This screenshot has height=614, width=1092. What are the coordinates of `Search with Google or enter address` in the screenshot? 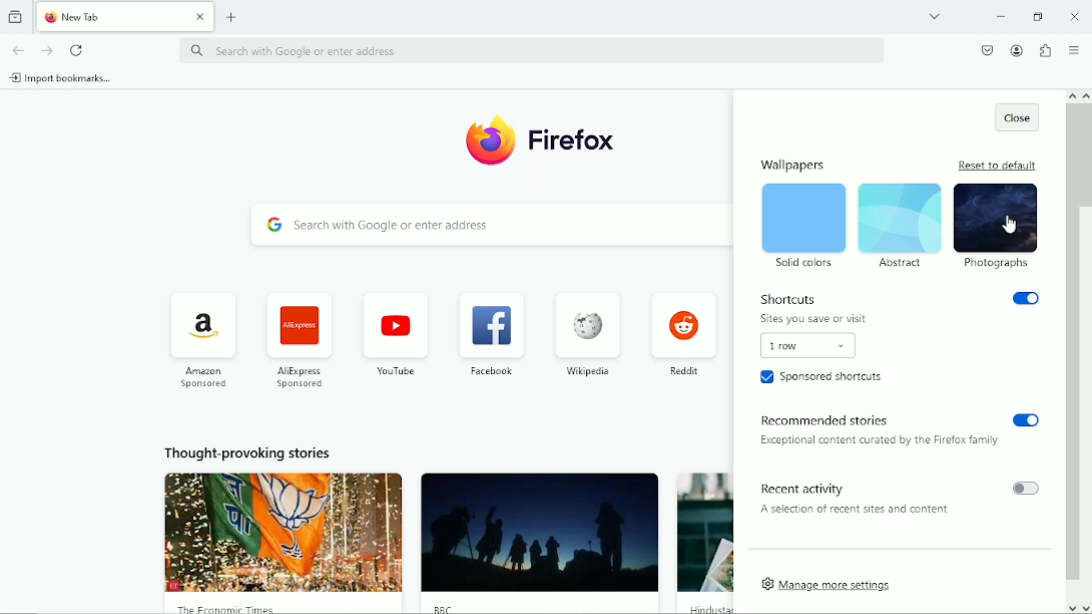 It's located at (487, 225).